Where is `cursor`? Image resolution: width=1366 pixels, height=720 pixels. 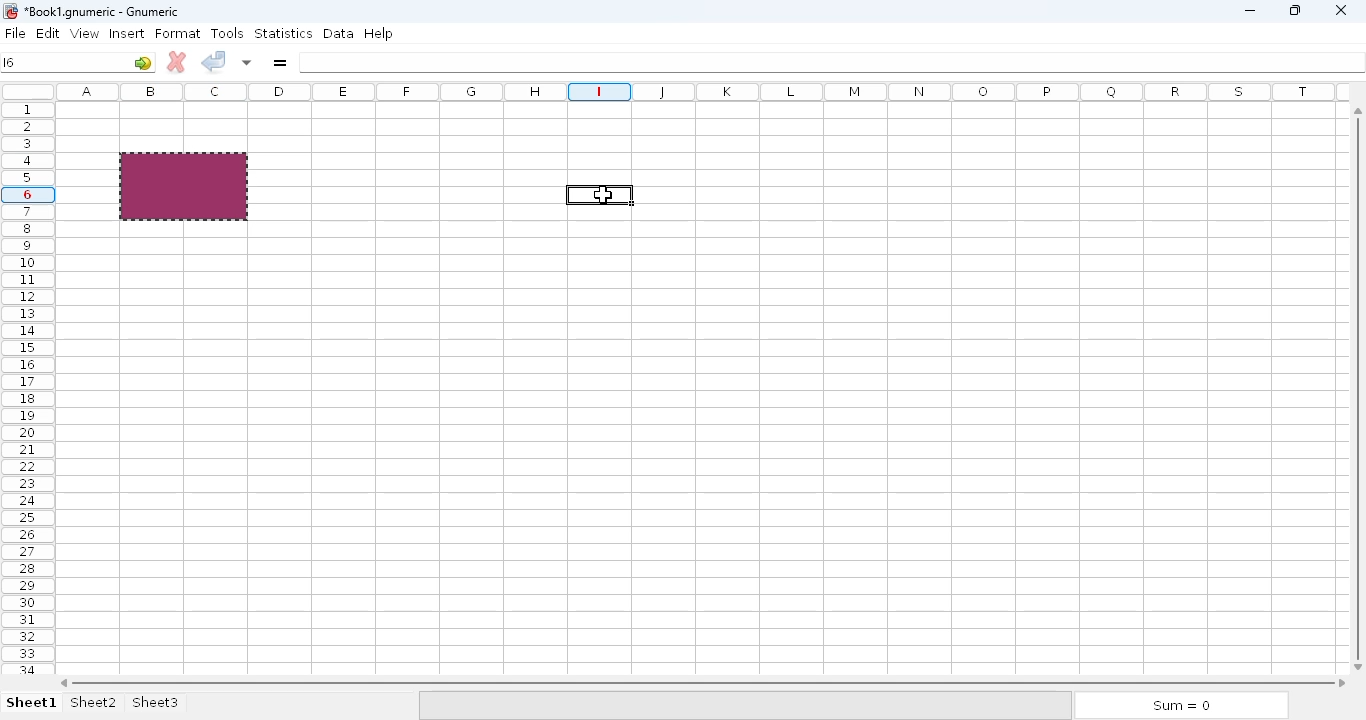 cursor is located at coordinates (604, 195).